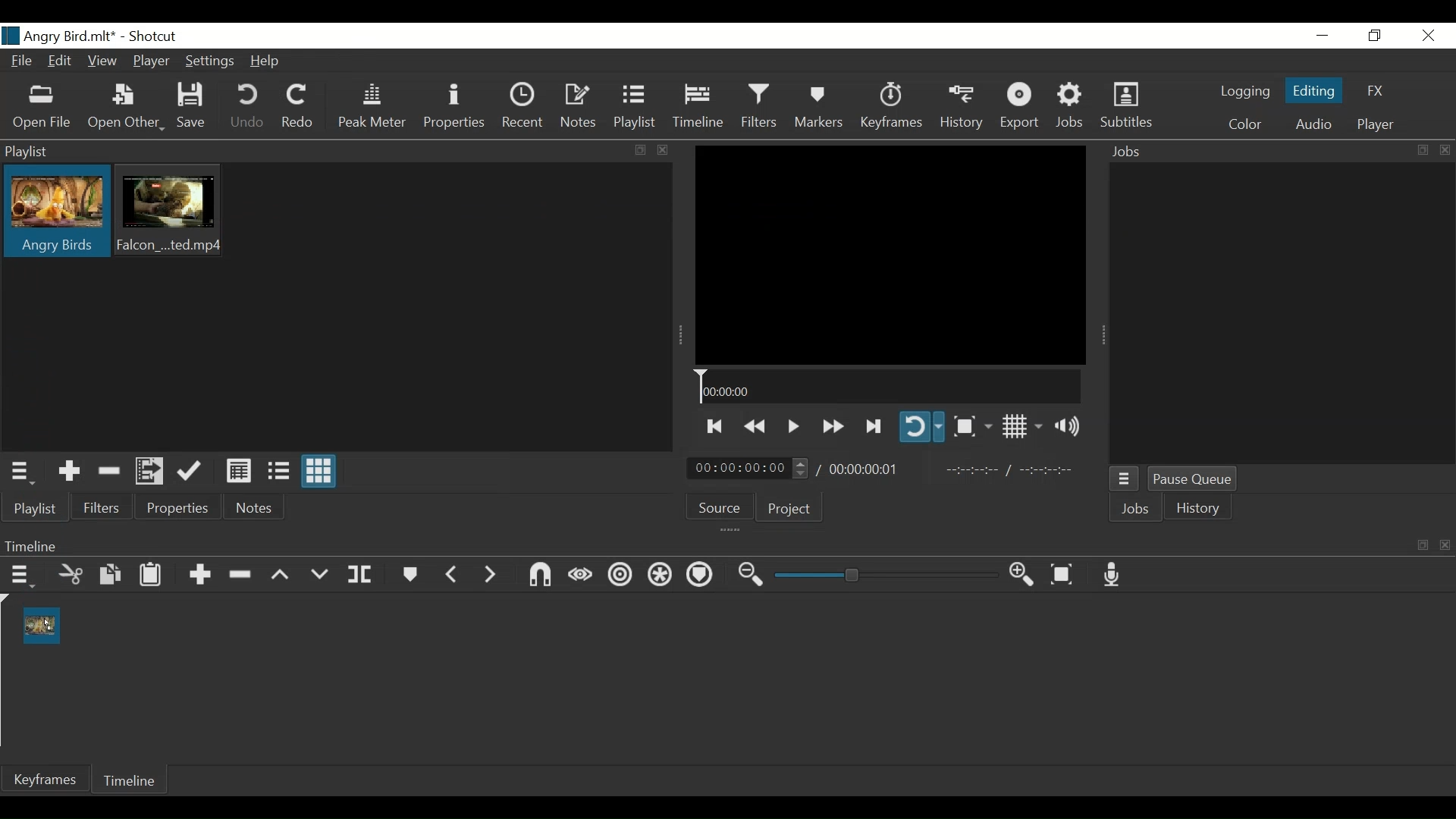  What do you see at coordinates (757, 108) in the screenshot?
I see `Filters` at bounding box center [757, 108].